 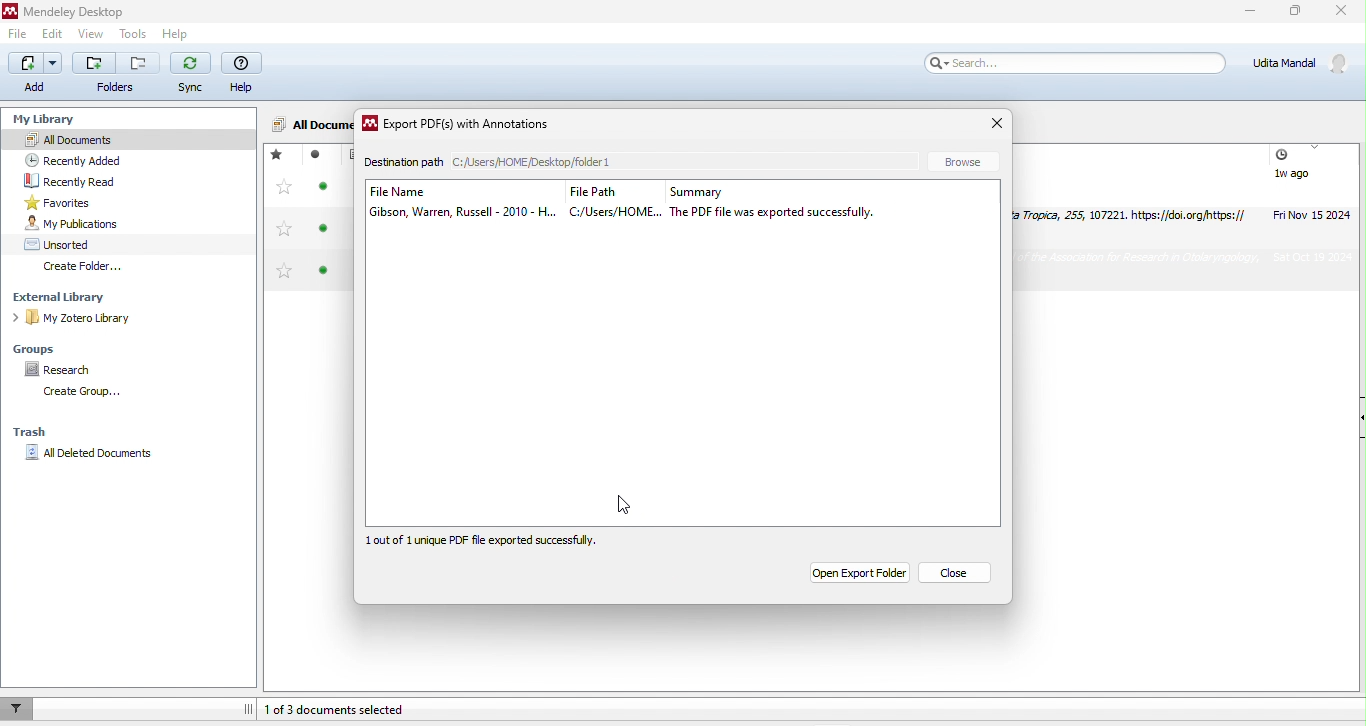 What do you see at coordinates (130, 140) in the screenshot?
I see `all documents` at bounding box center [130, 140].